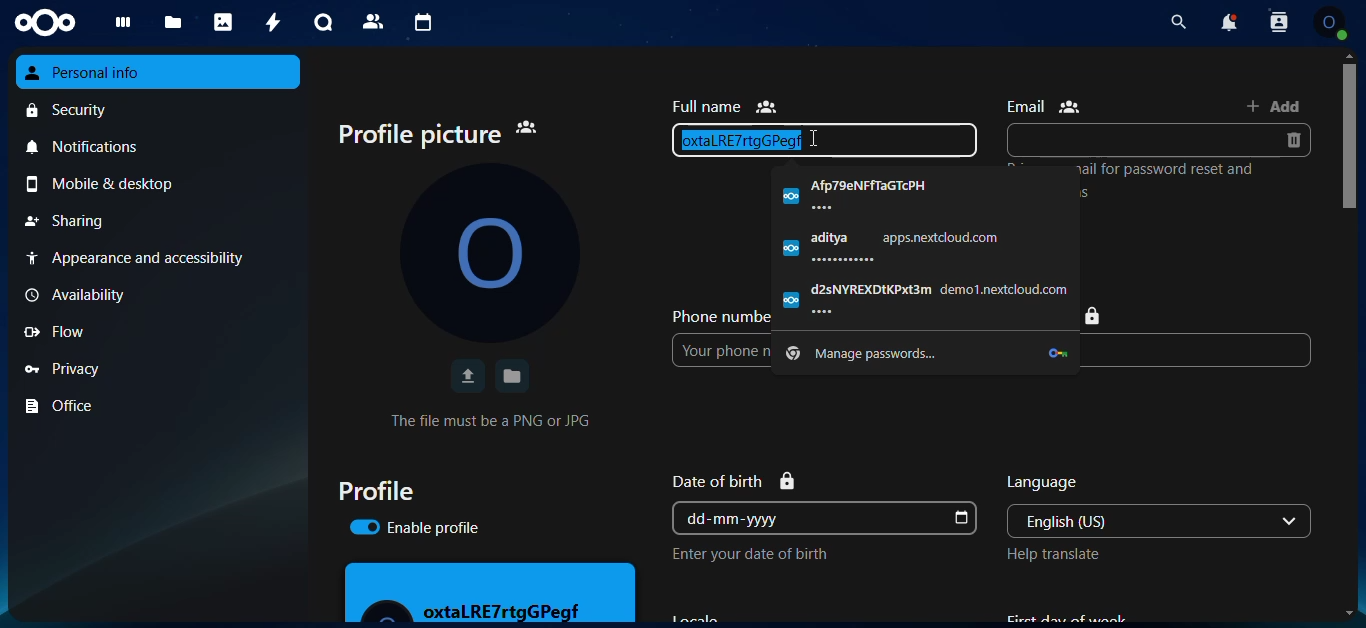 The image size is (1366, 628). I want to click on Your city, so click(1195, 350).